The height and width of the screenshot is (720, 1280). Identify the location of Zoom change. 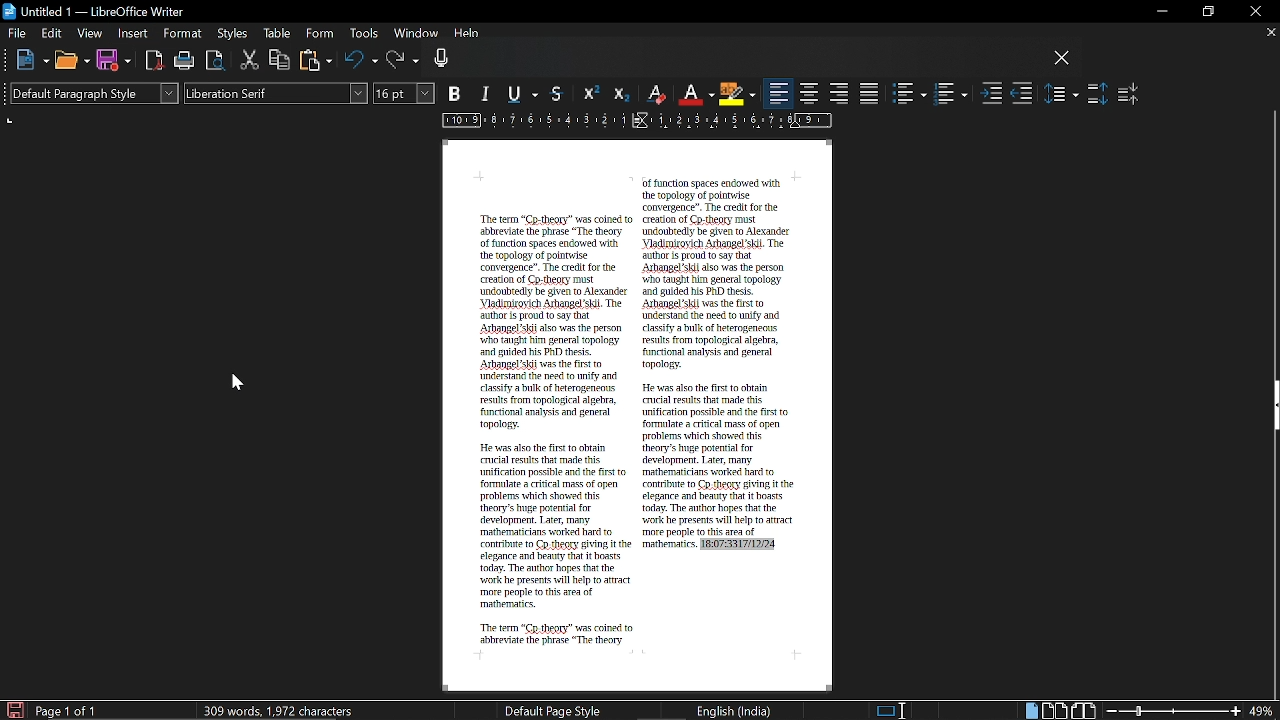
(1174, 711).